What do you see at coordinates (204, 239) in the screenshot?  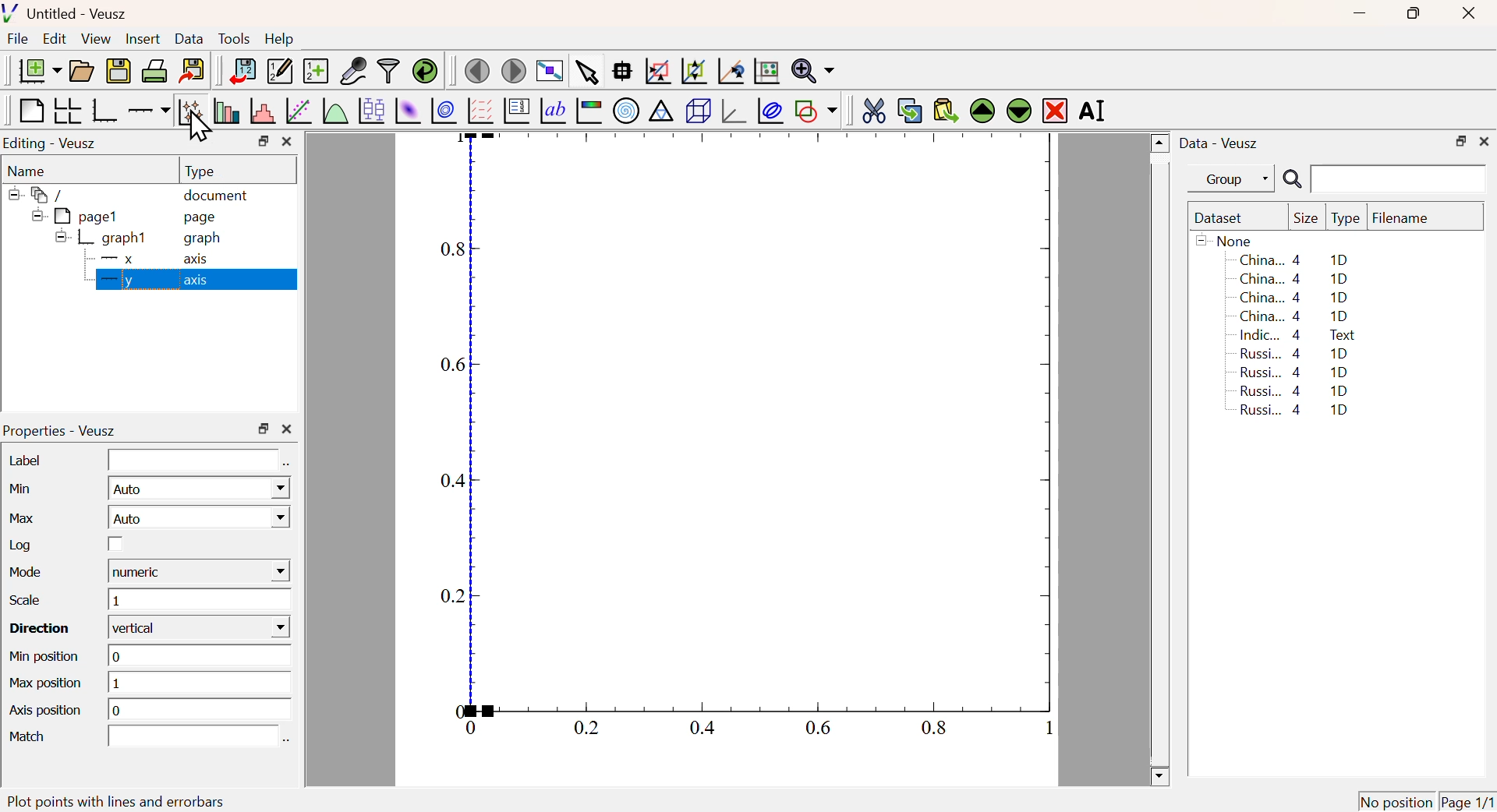 I see `graph` at bounding box center [204, 239].